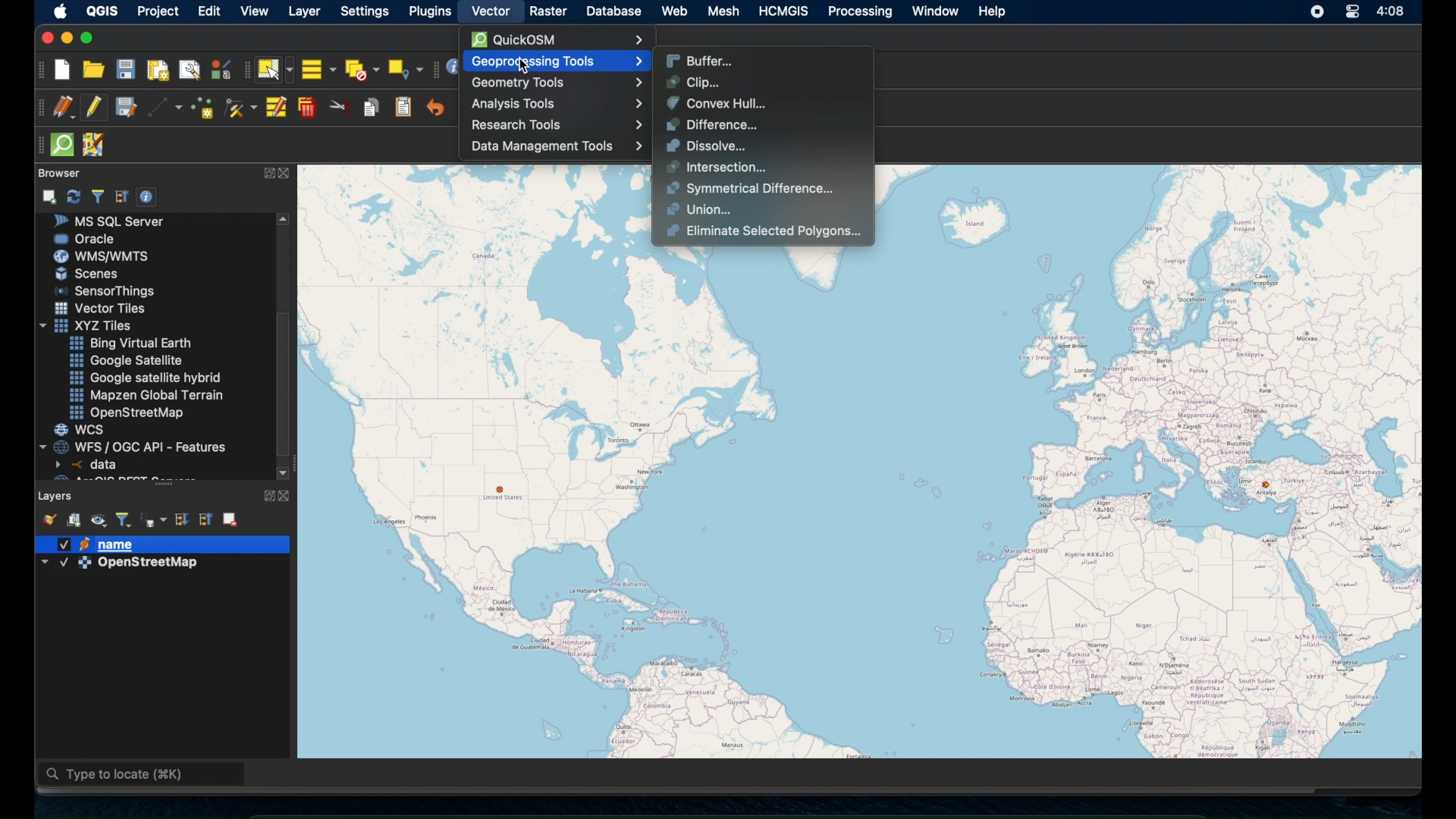  I want to click on google satellite, so click(125, 361).